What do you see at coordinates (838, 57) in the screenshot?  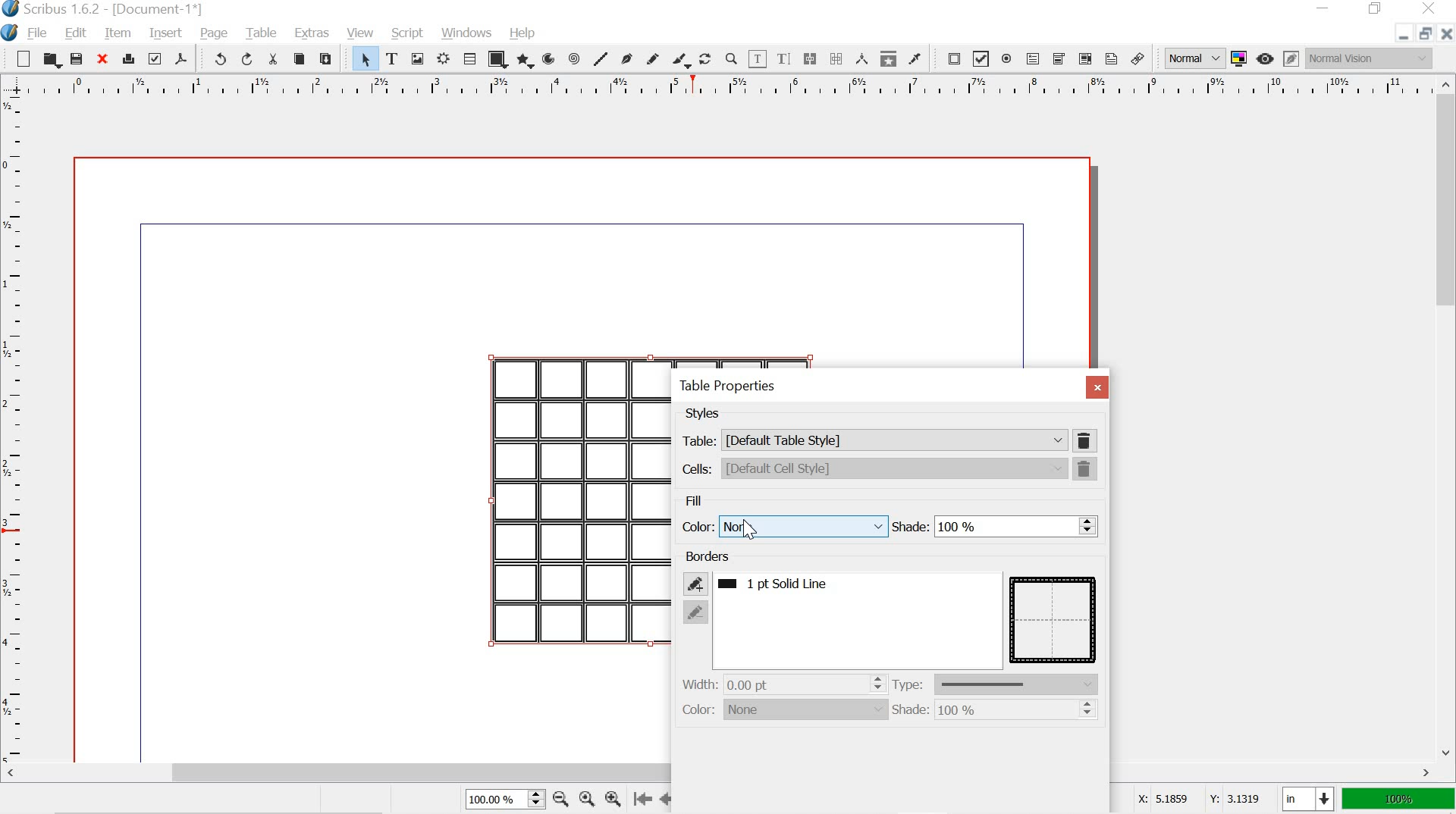 I see `unlink text frames` at bounding box center [838, 57].